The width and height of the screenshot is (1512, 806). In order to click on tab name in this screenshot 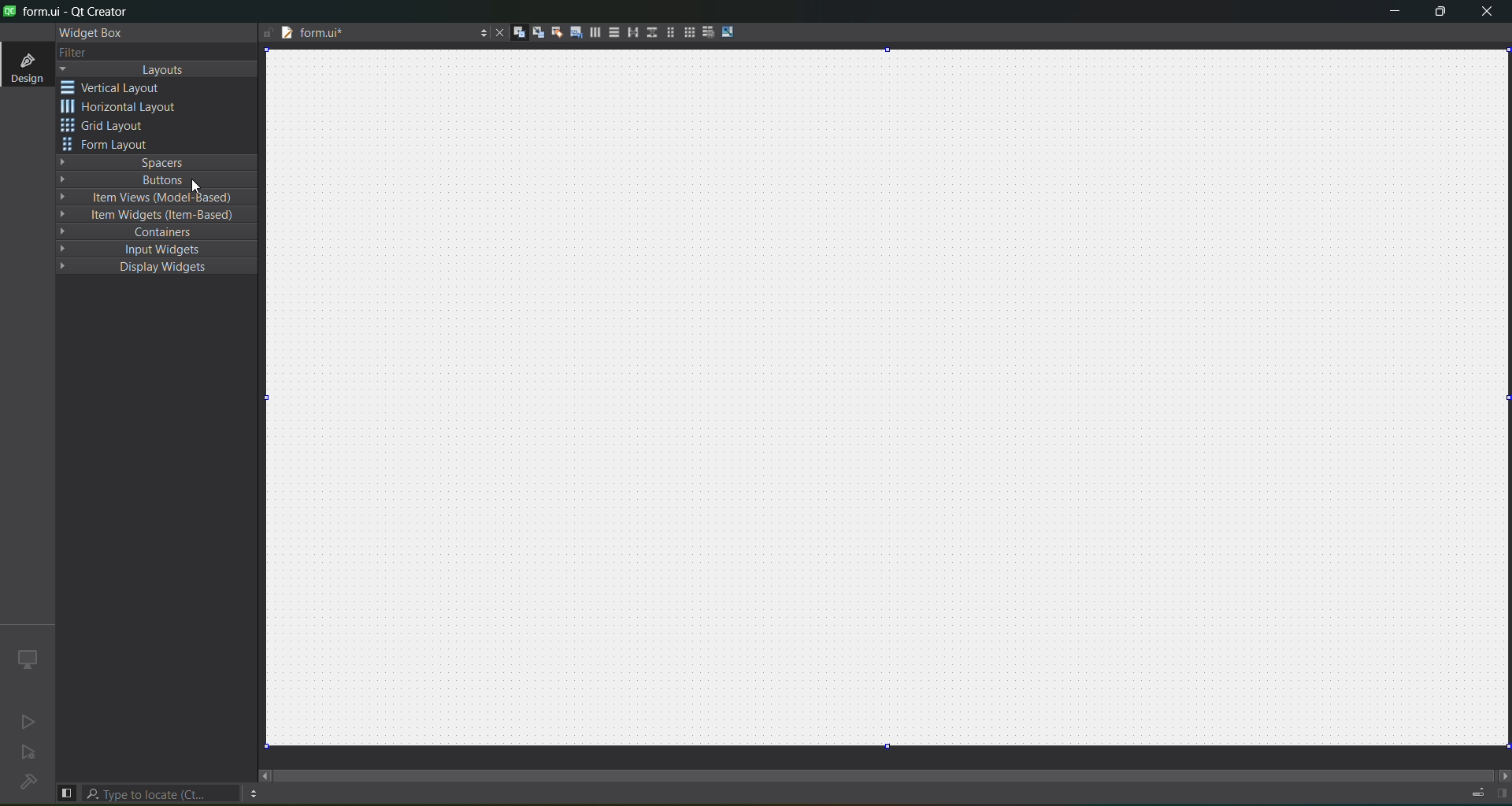, I will do `click(360, 35)`.